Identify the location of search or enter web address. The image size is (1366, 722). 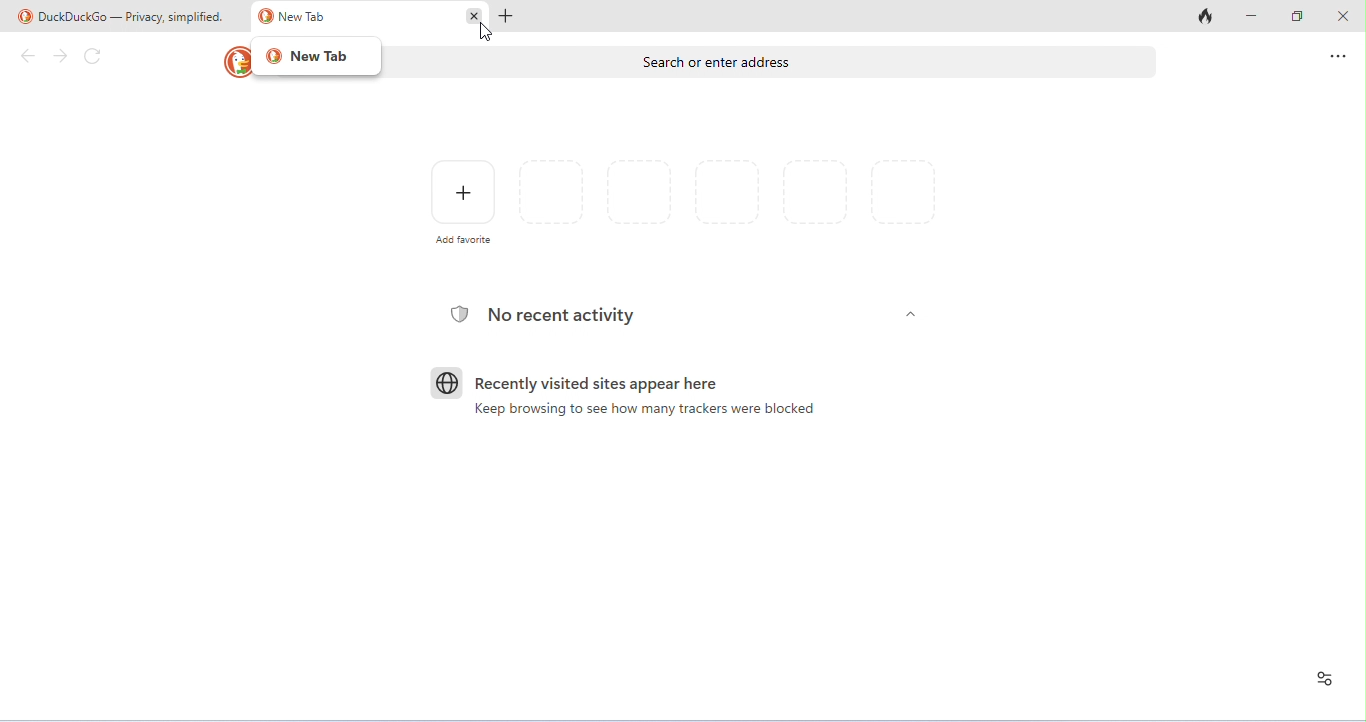
(775, 63).